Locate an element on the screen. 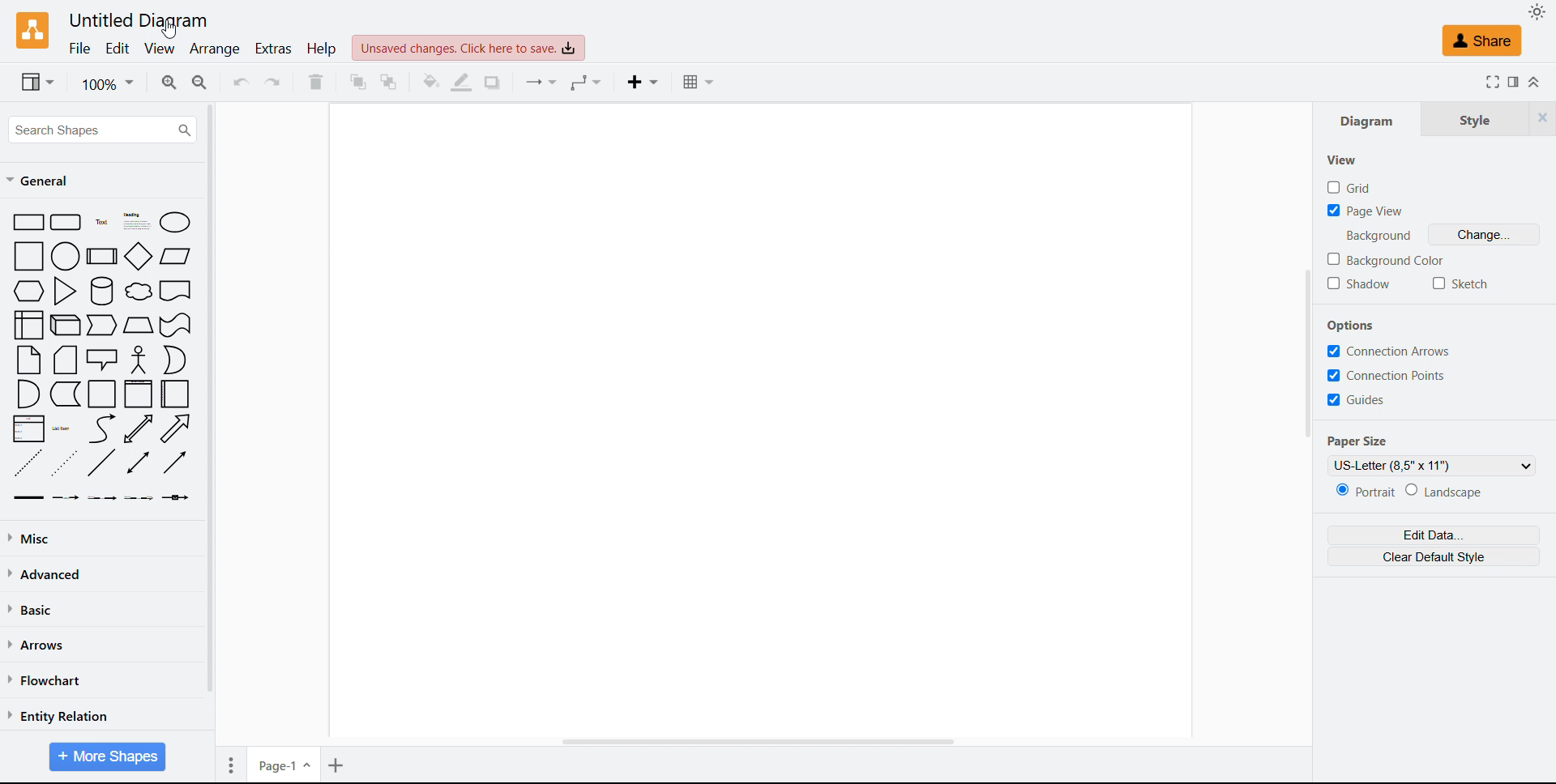 This screenshot has width=1556, height=784. Portrait  is located at coordinates (1368, 491).